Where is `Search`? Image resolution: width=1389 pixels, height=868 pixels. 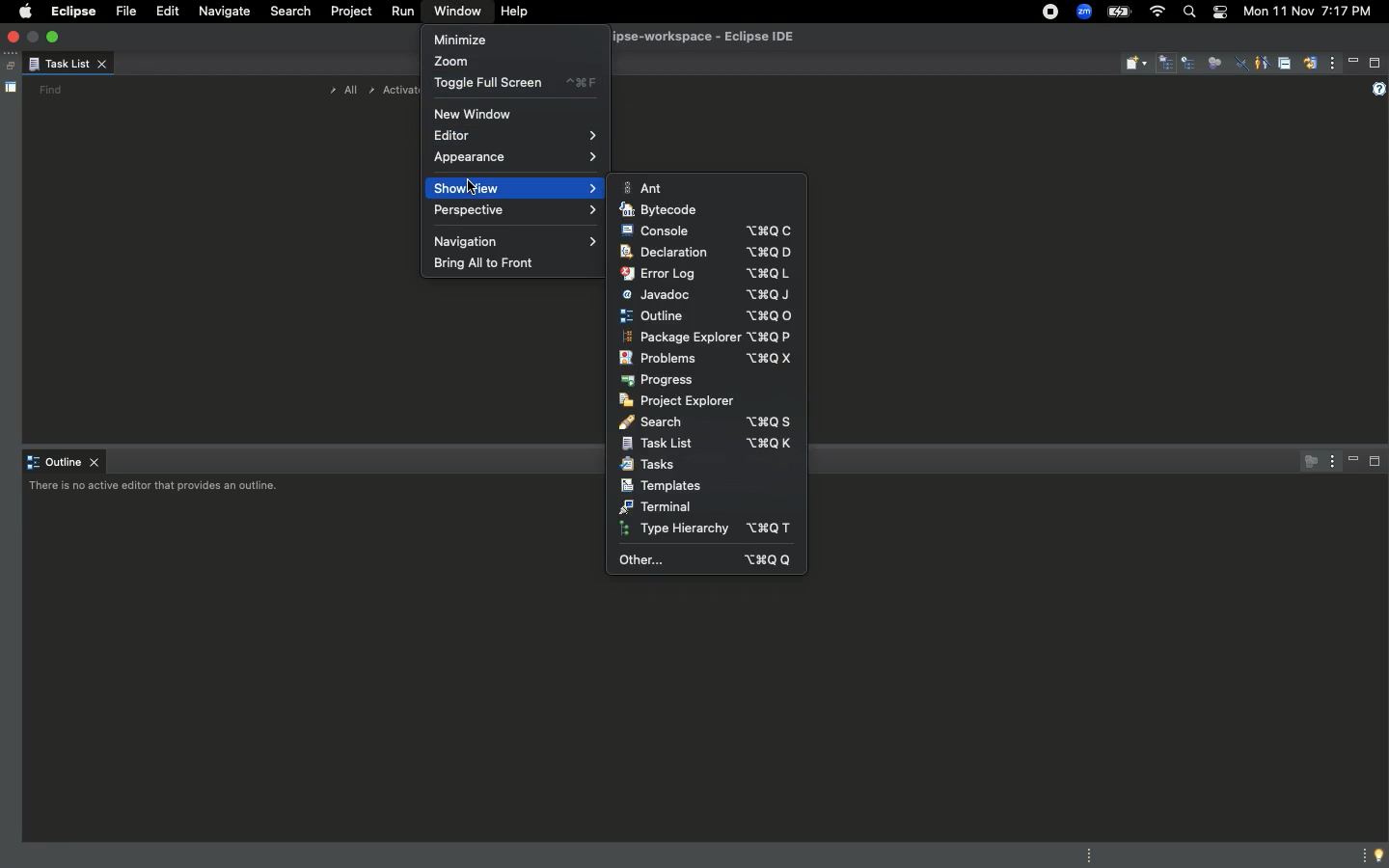 Search is located at coordinates (290, 14).